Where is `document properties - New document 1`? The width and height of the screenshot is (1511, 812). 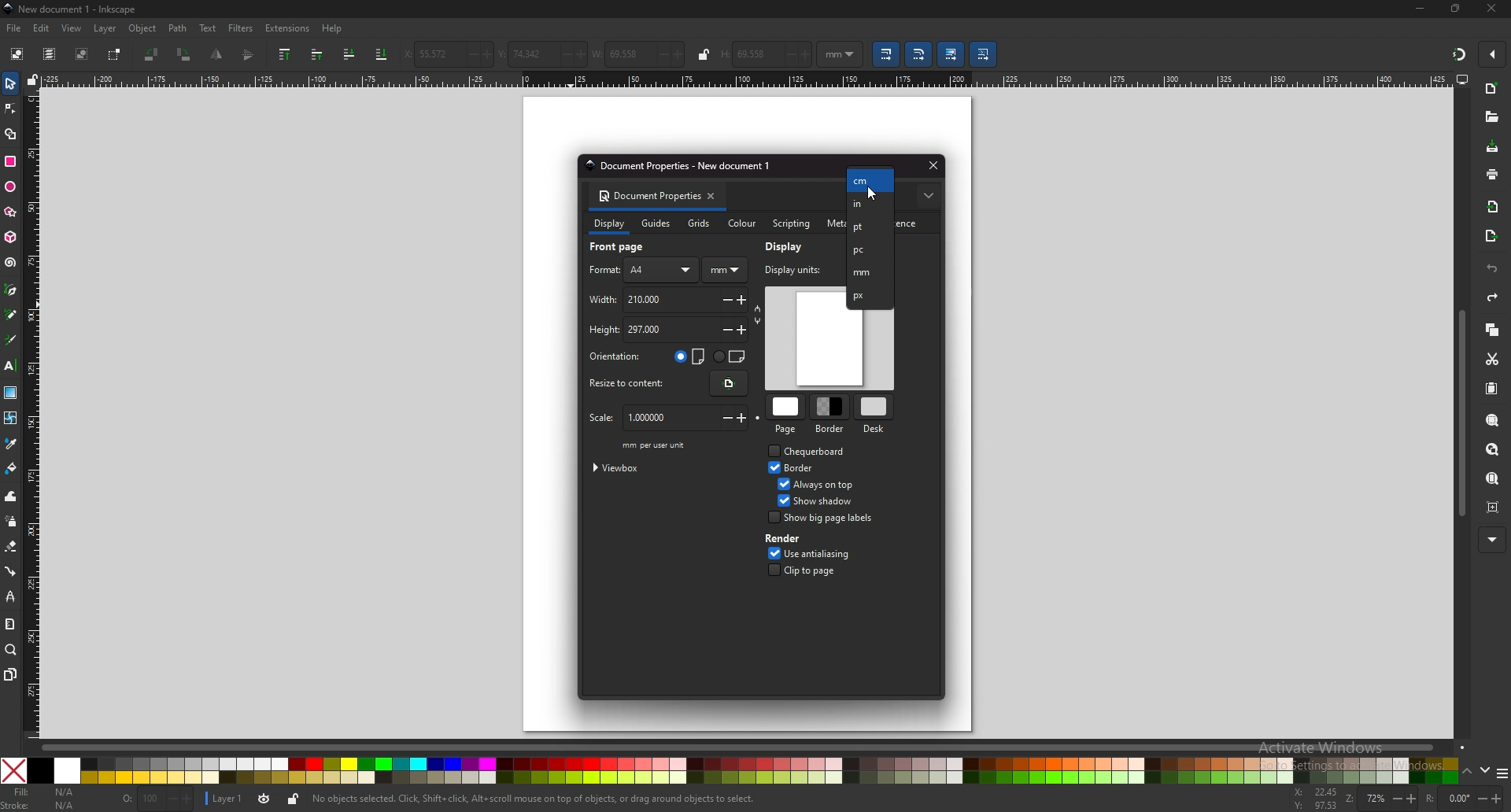 document properties - New document 1 is located at coordinates (682, 166).